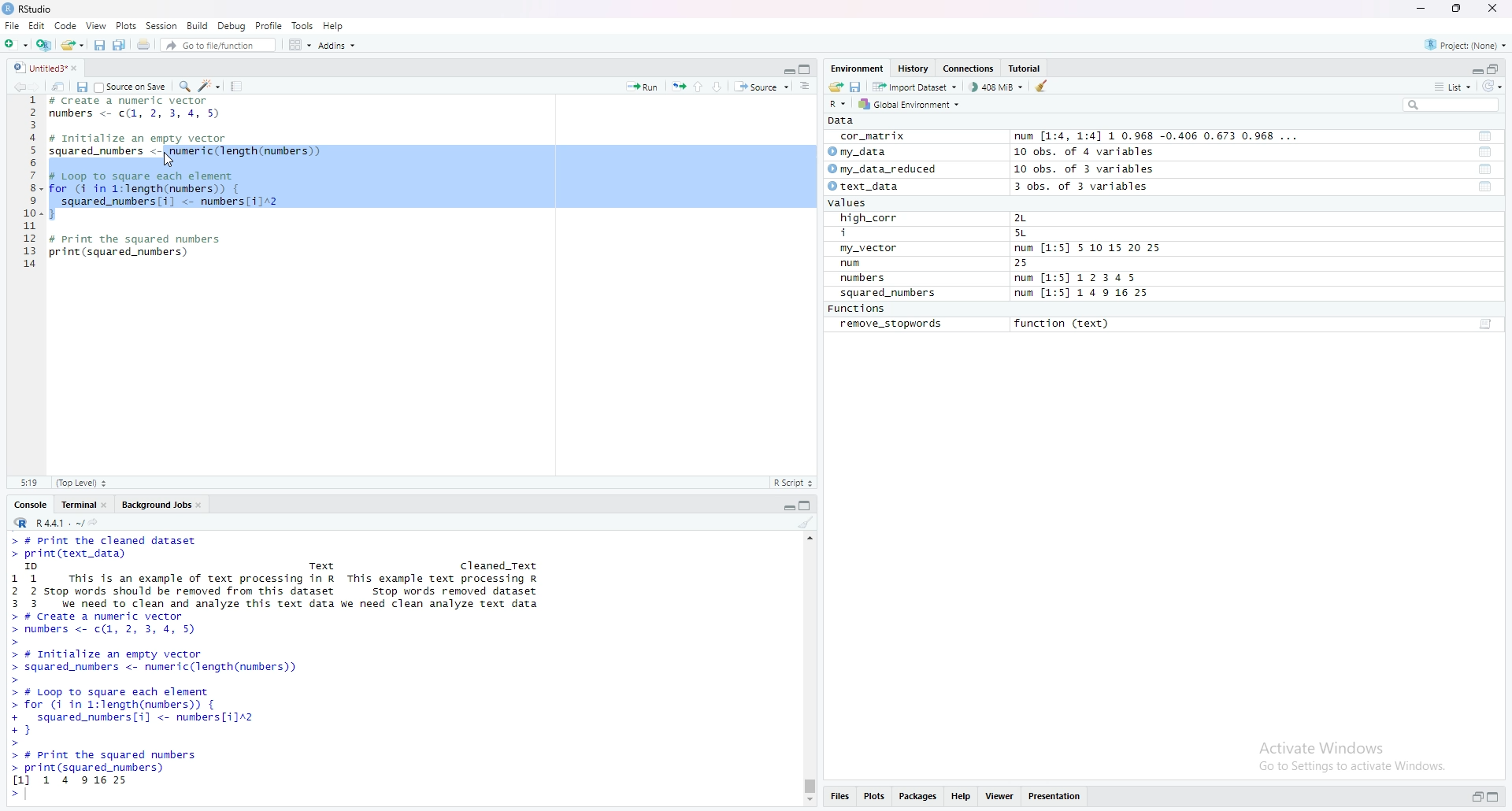 This screenshot has width=1512, height=811. I want to click on i, so click(872, 234).